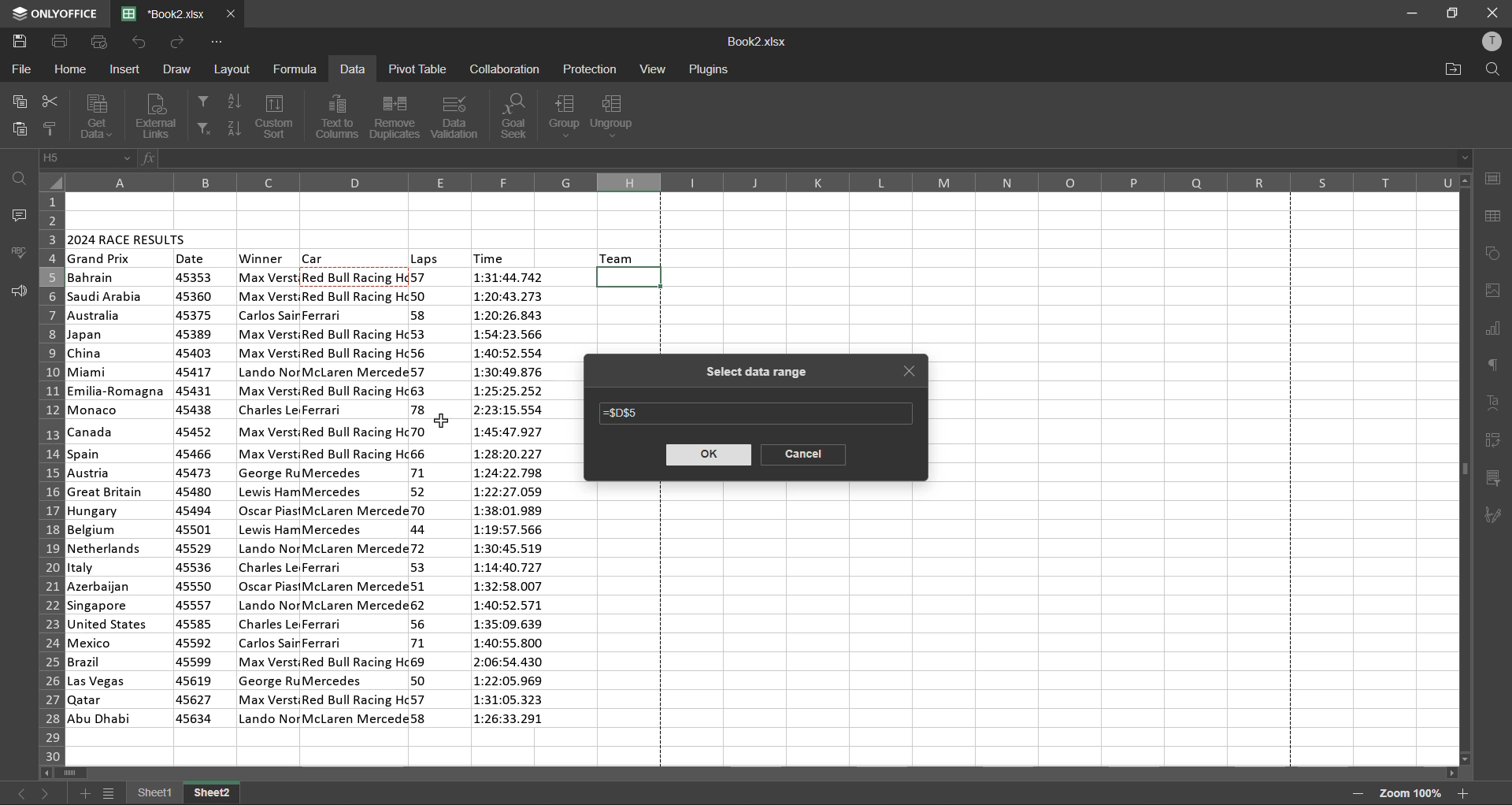 The width and height of the screenshot is (1512, 805). What do you see at coordinates (48, 476) in the screenshot?
I see `row numbers` at bounding box center [48, 476].